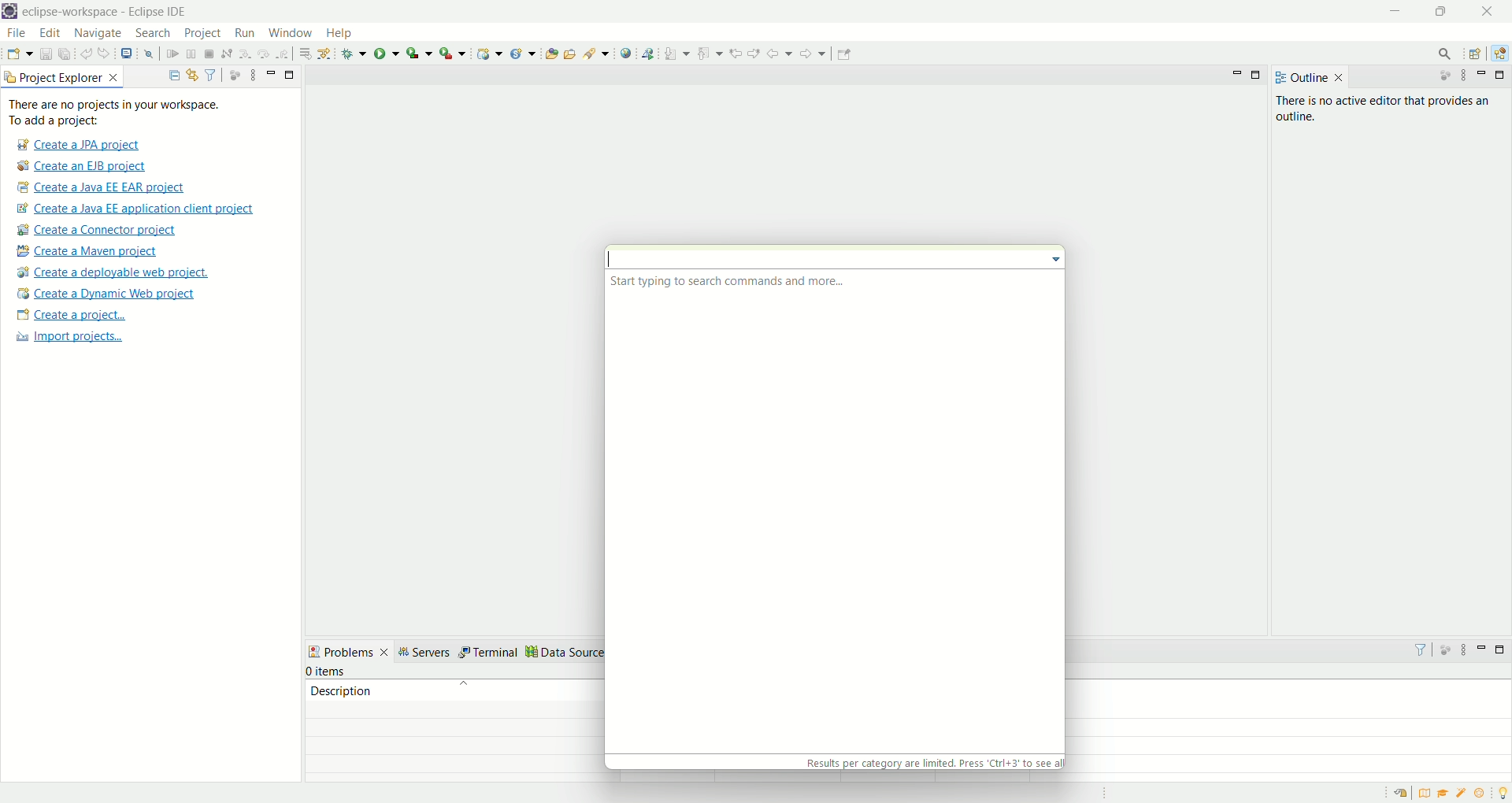 The width and height of the screenshot is (1512, 803). What do you see at coordinates (19, 35) in the screenshot?
I see `file` at bounding box center [19, 35].